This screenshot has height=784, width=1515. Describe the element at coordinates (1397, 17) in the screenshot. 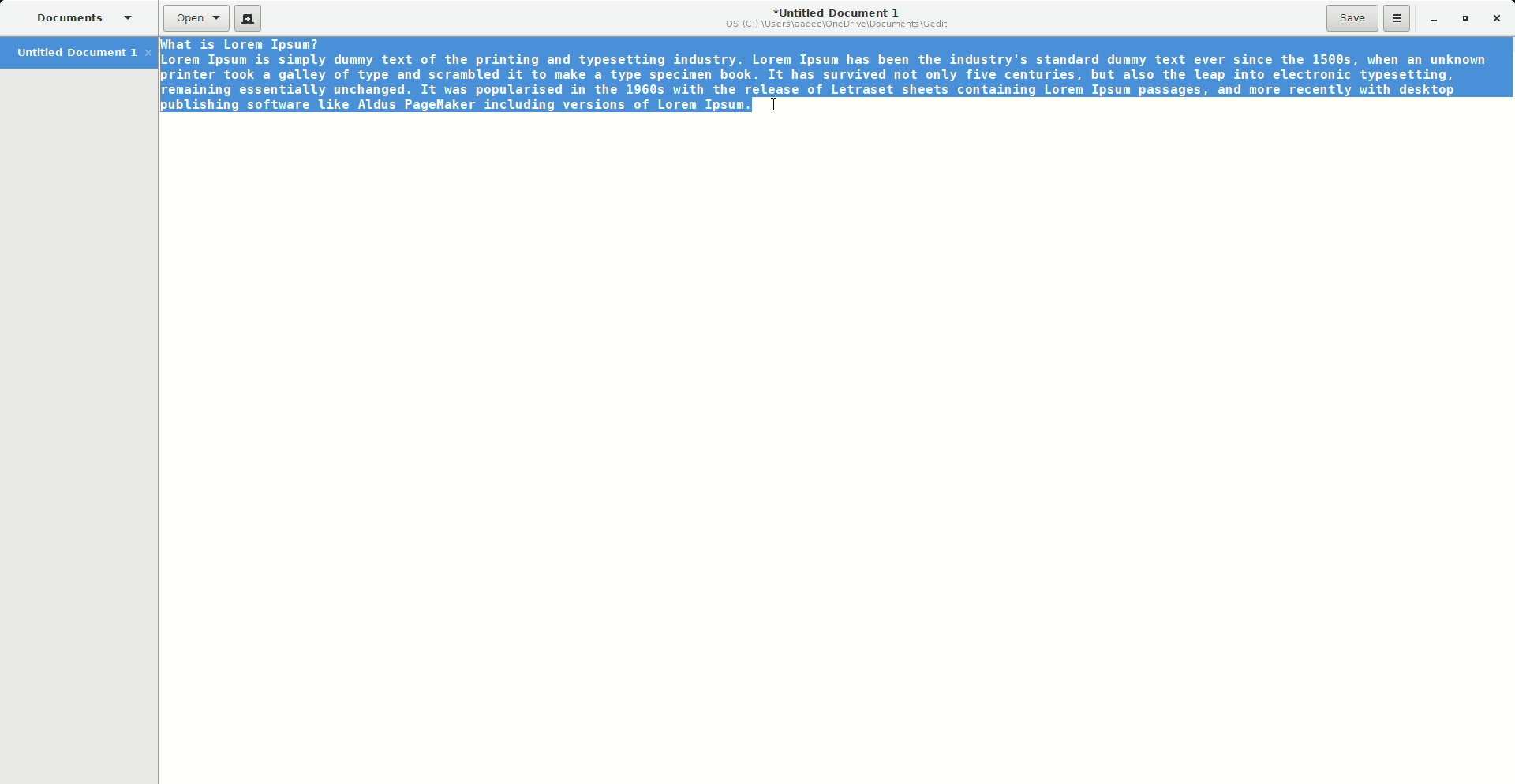

I see `Options` at that location.